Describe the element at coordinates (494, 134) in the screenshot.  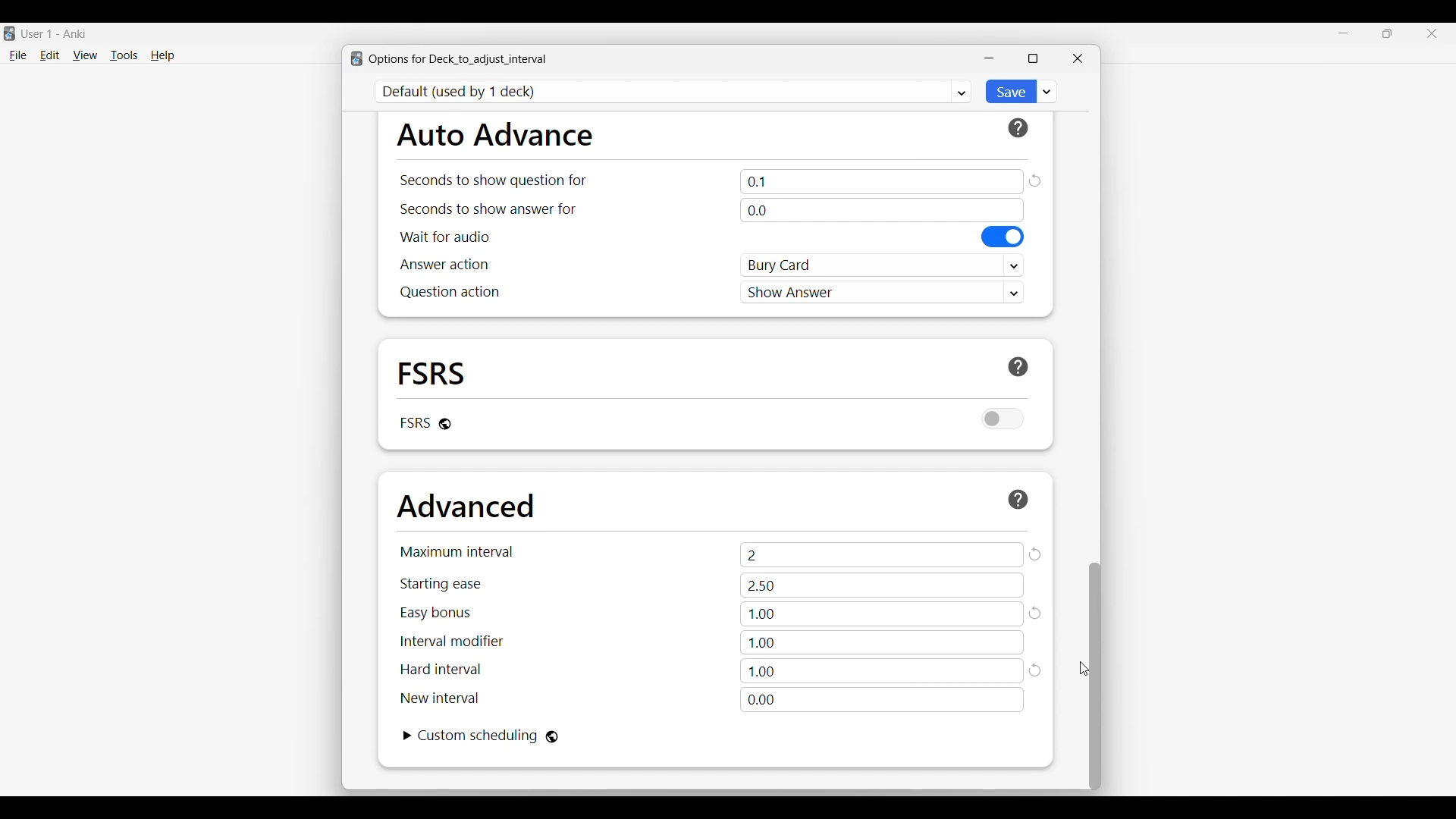
I see `Auto Advance` at that location.